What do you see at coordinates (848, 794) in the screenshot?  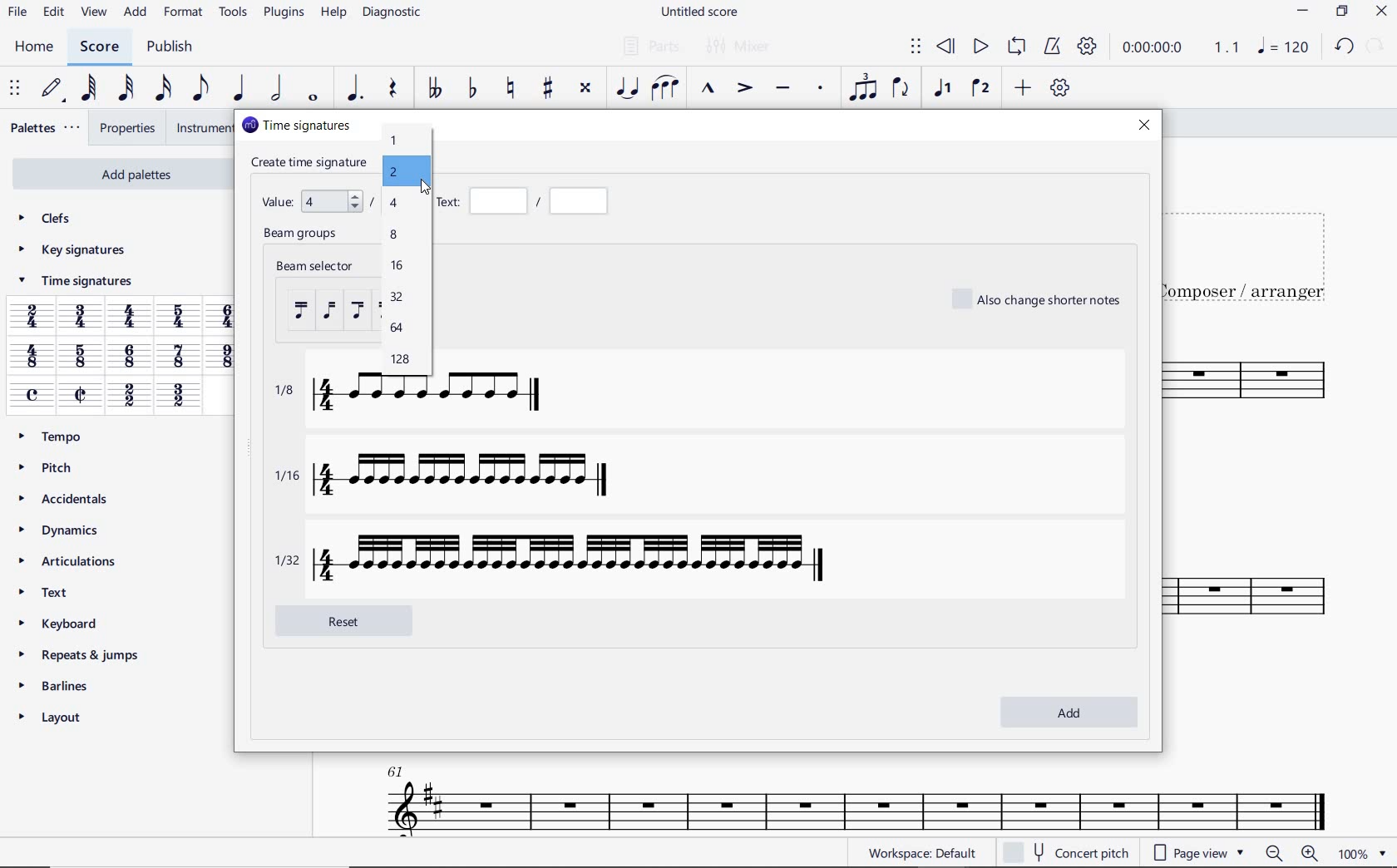 I see `INSTRUMENT: TENOR SAXOPHONE` at bounding box center [848, 794].